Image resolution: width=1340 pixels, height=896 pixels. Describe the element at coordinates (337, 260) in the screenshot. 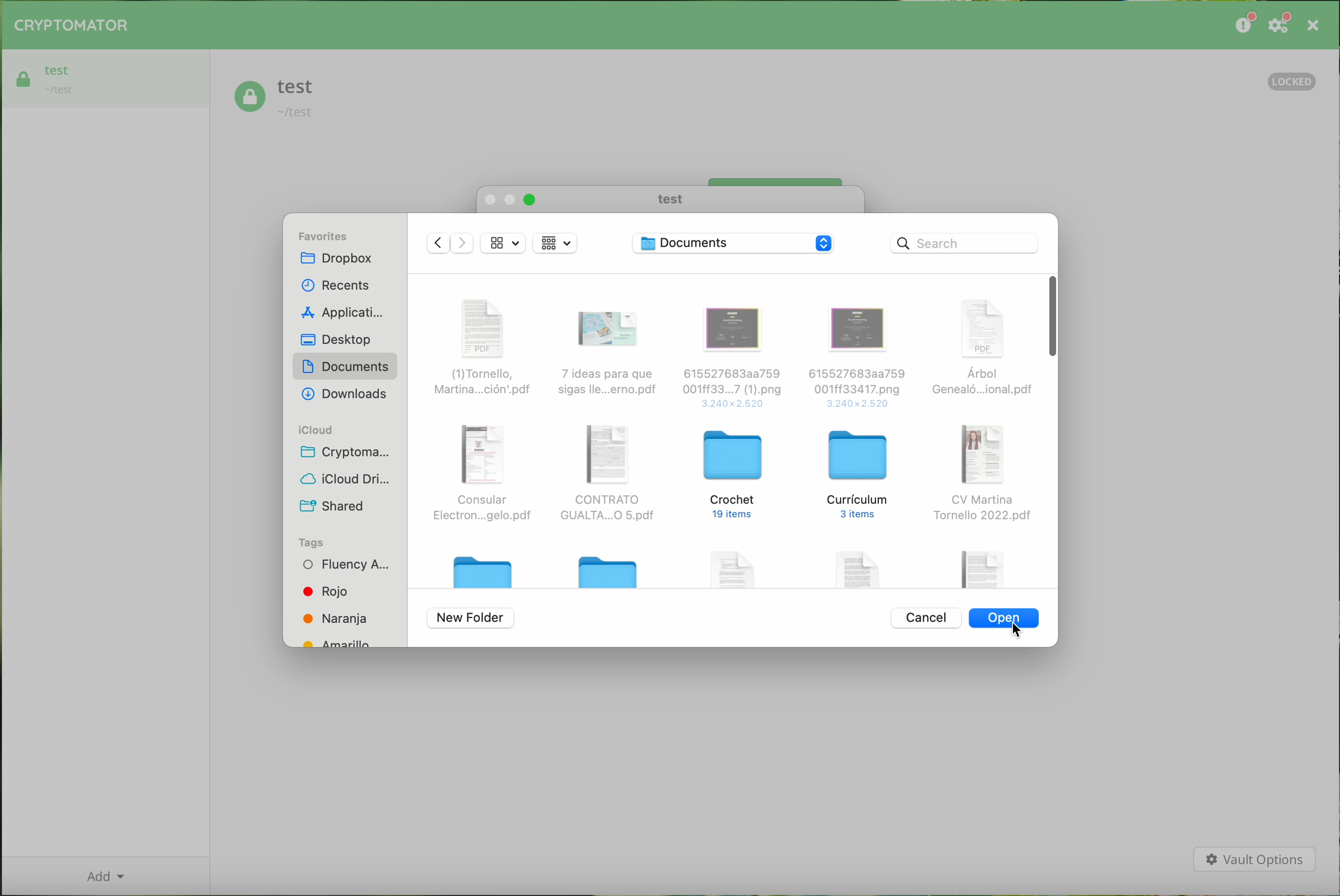

I see `dropbox` at that location.